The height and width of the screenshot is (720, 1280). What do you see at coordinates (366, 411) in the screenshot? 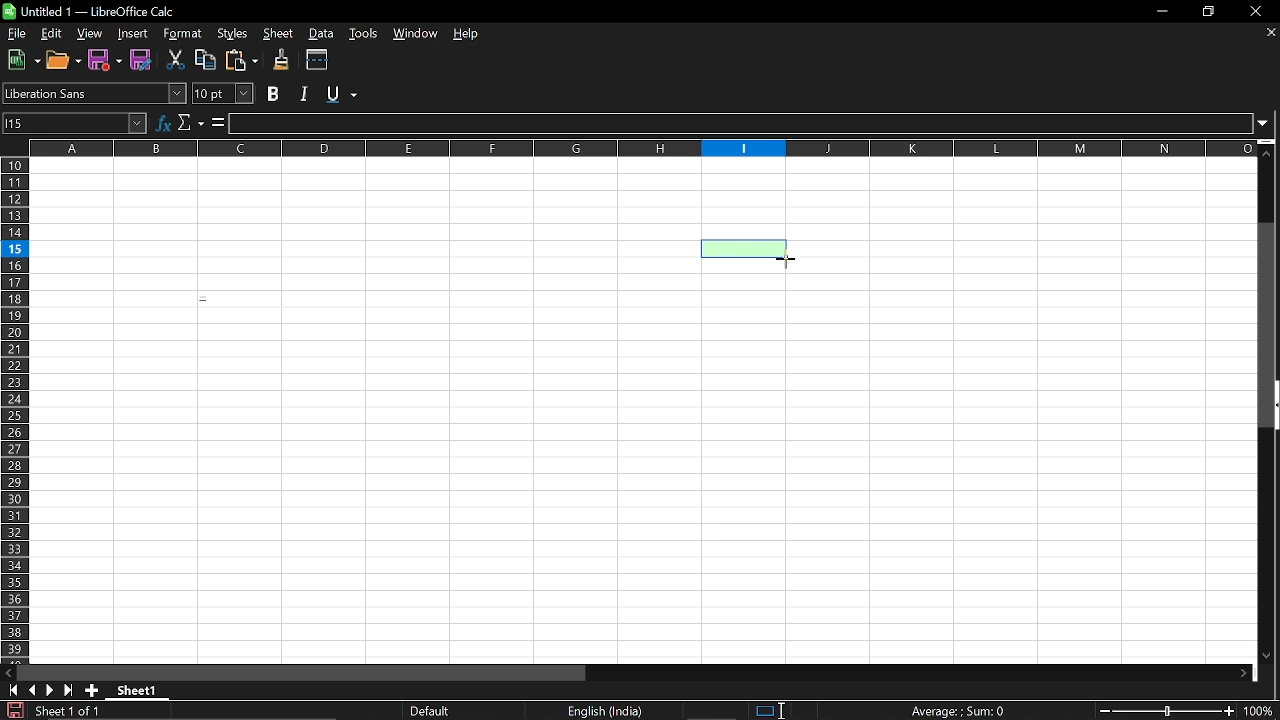
I see `Fillable cells` at bounding box center [366, 411].